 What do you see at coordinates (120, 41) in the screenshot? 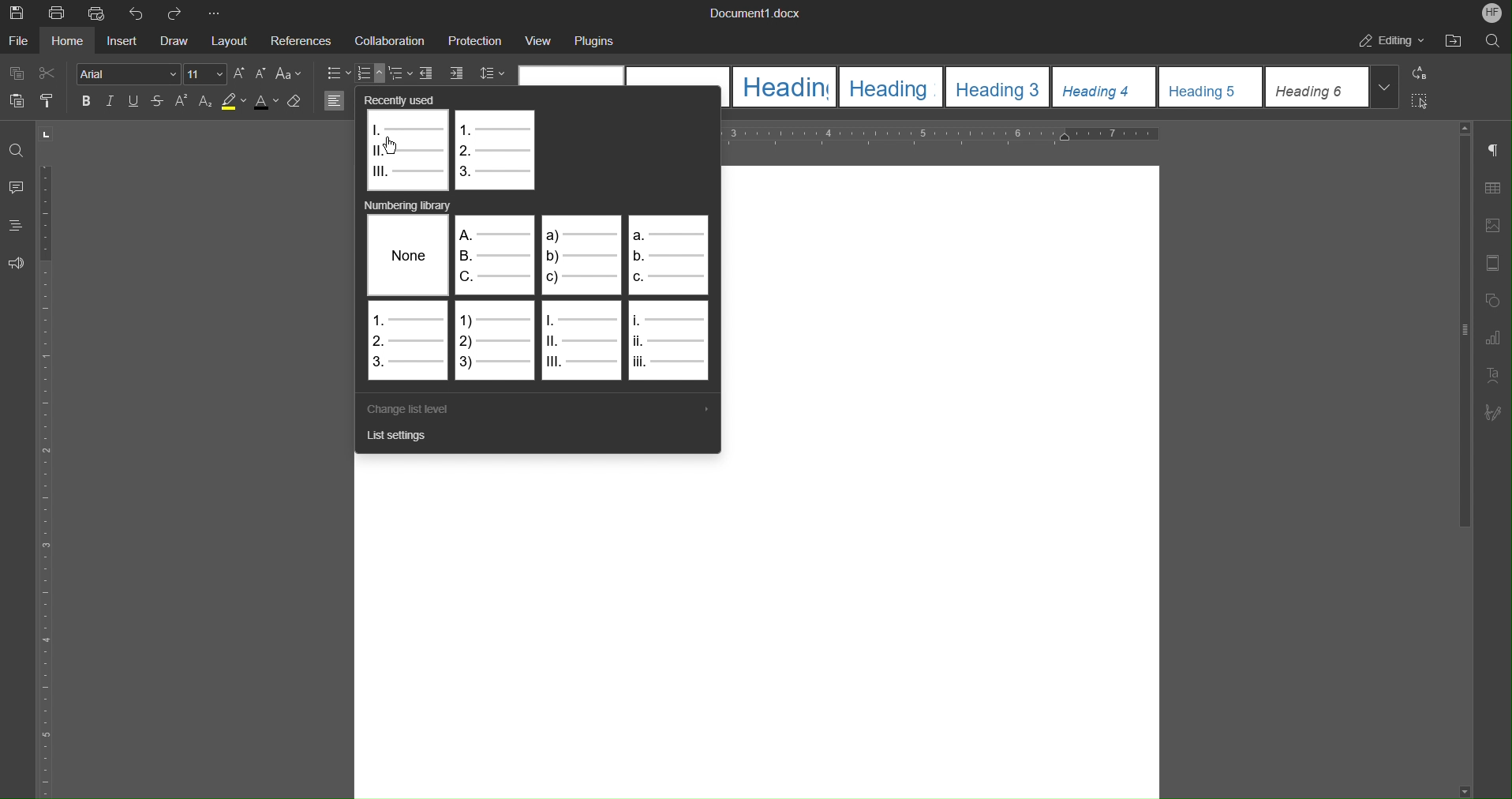
I see `Insert` at bounding box center [120, 41].